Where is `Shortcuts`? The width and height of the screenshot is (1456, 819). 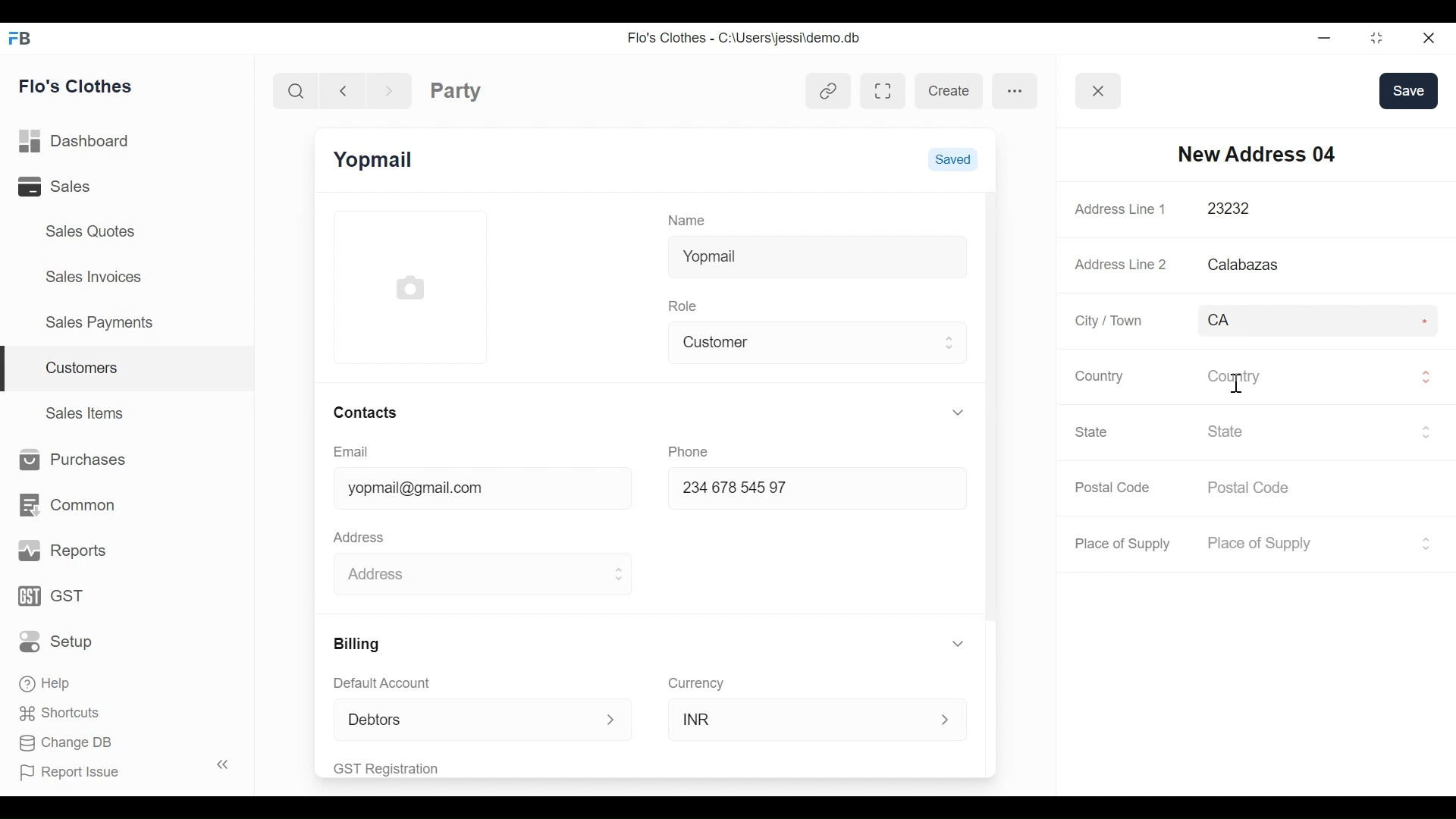
Shortcuts is located at coordinates (55, 712).